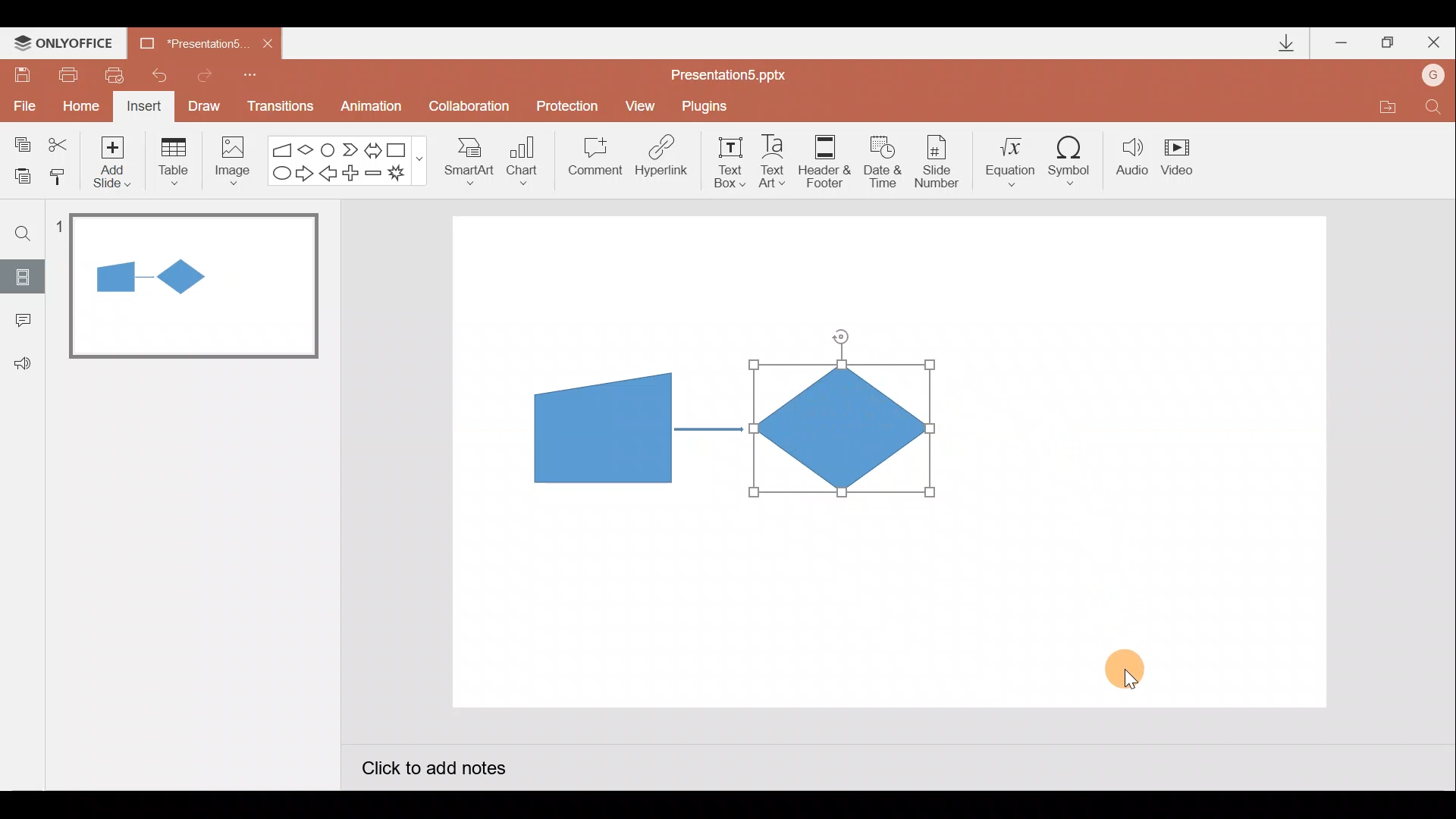 The width and height of the screenshot is (1456, 819). I want to click on Plus, so click(353, 175).